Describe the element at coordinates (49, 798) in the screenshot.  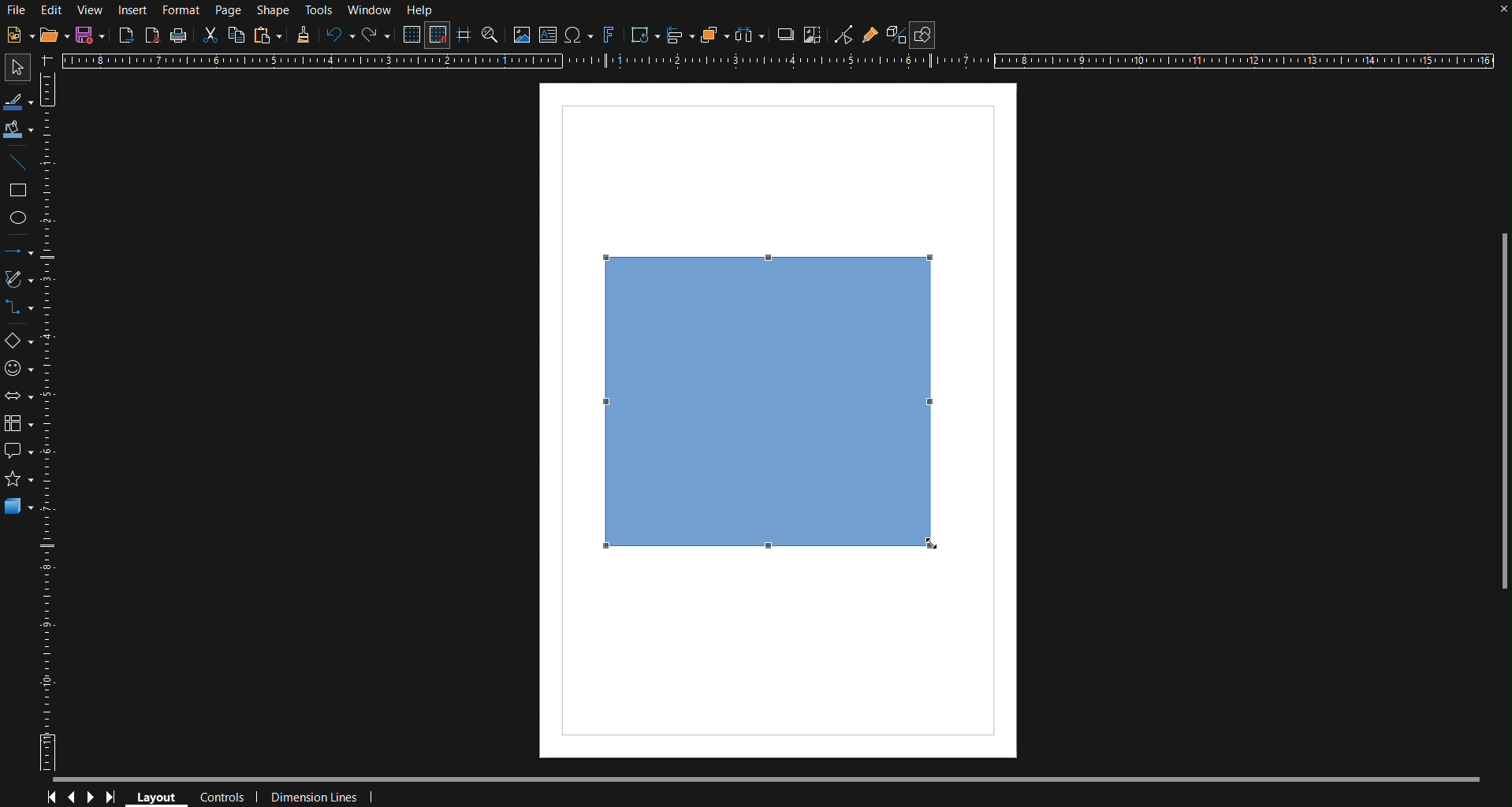
I see `First Page` at that location.